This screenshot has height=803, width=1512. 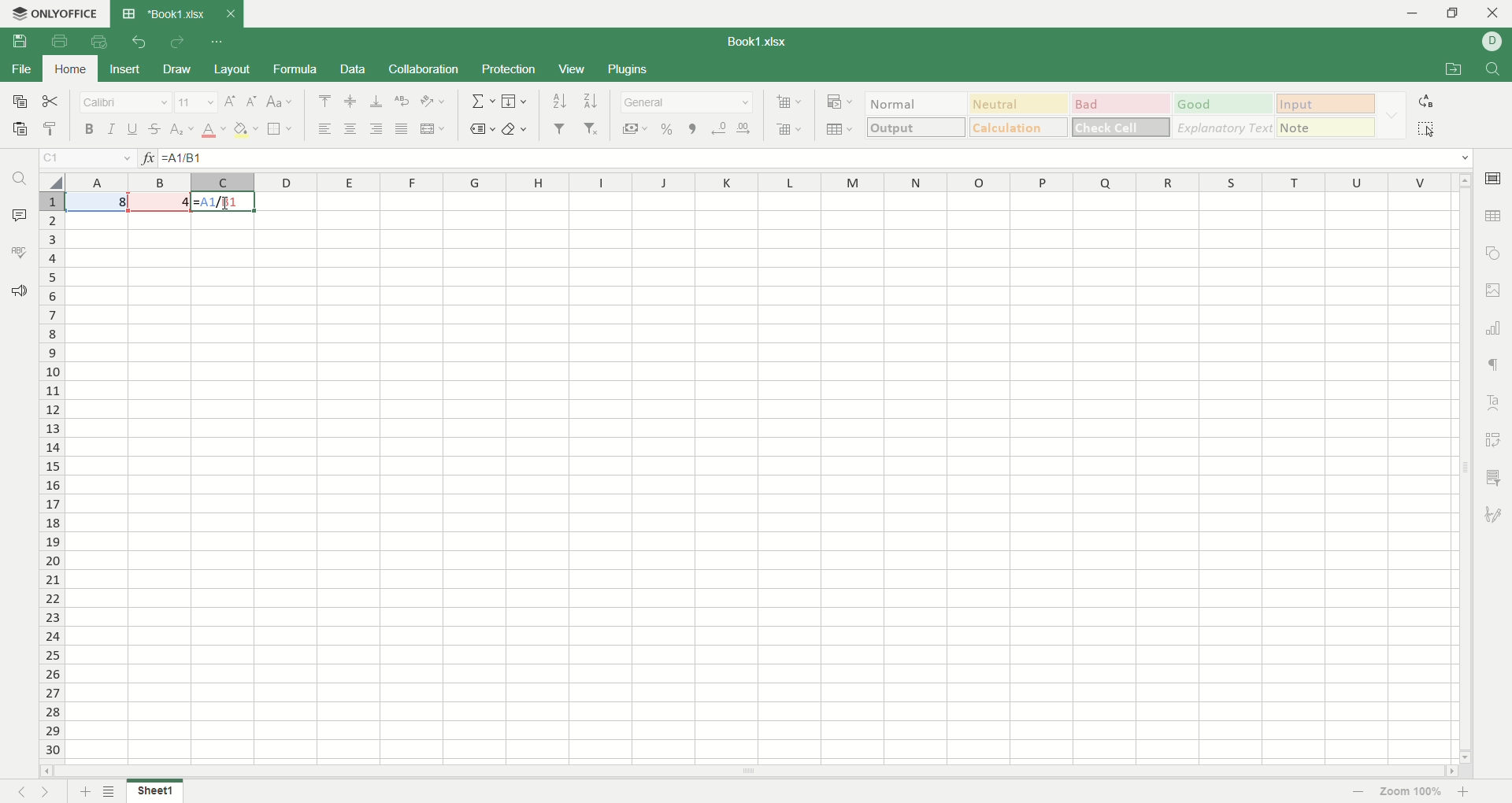 What do you see at coordinates (280, 102) in the screenshot?
I see `change case` at bounding box center [280, 102].